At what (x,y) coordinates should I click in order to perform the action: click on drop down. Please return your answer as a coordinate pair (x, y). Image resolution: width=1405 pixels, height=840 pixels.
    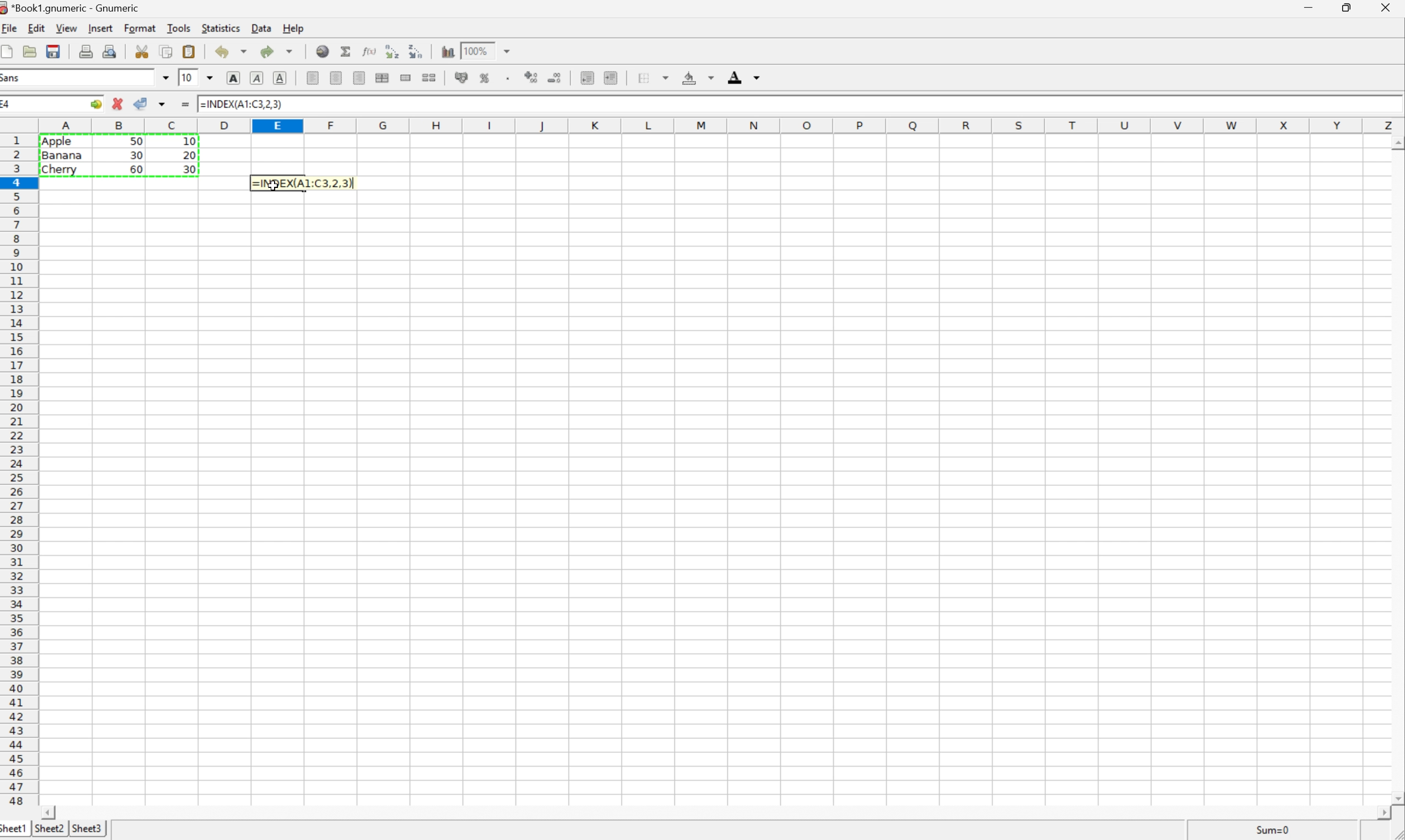
    Looking at the image, I should click on (208, 79).